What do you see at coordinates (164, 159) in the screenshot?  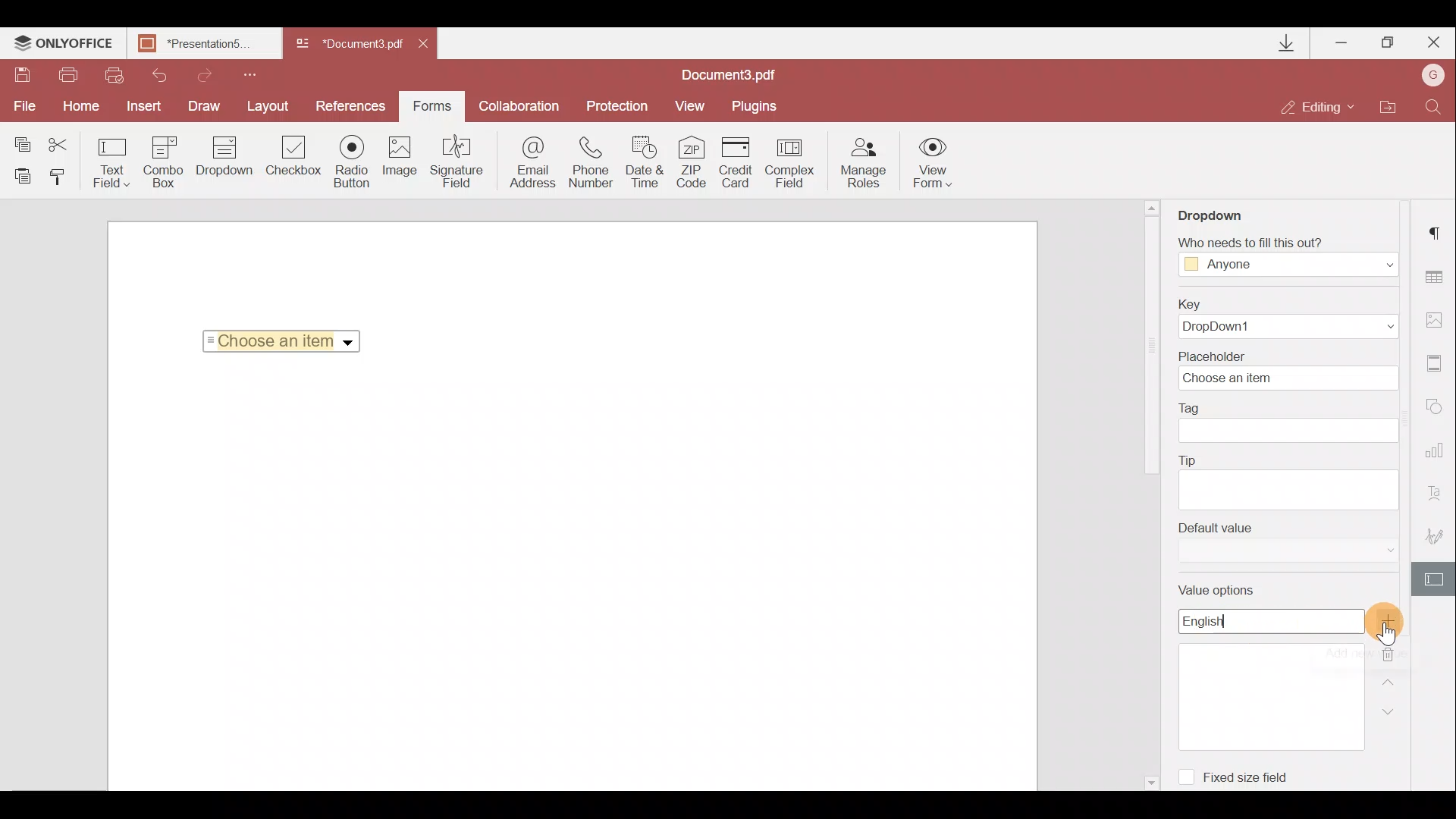 I see `Combo box` at bounding box center [164, 159].